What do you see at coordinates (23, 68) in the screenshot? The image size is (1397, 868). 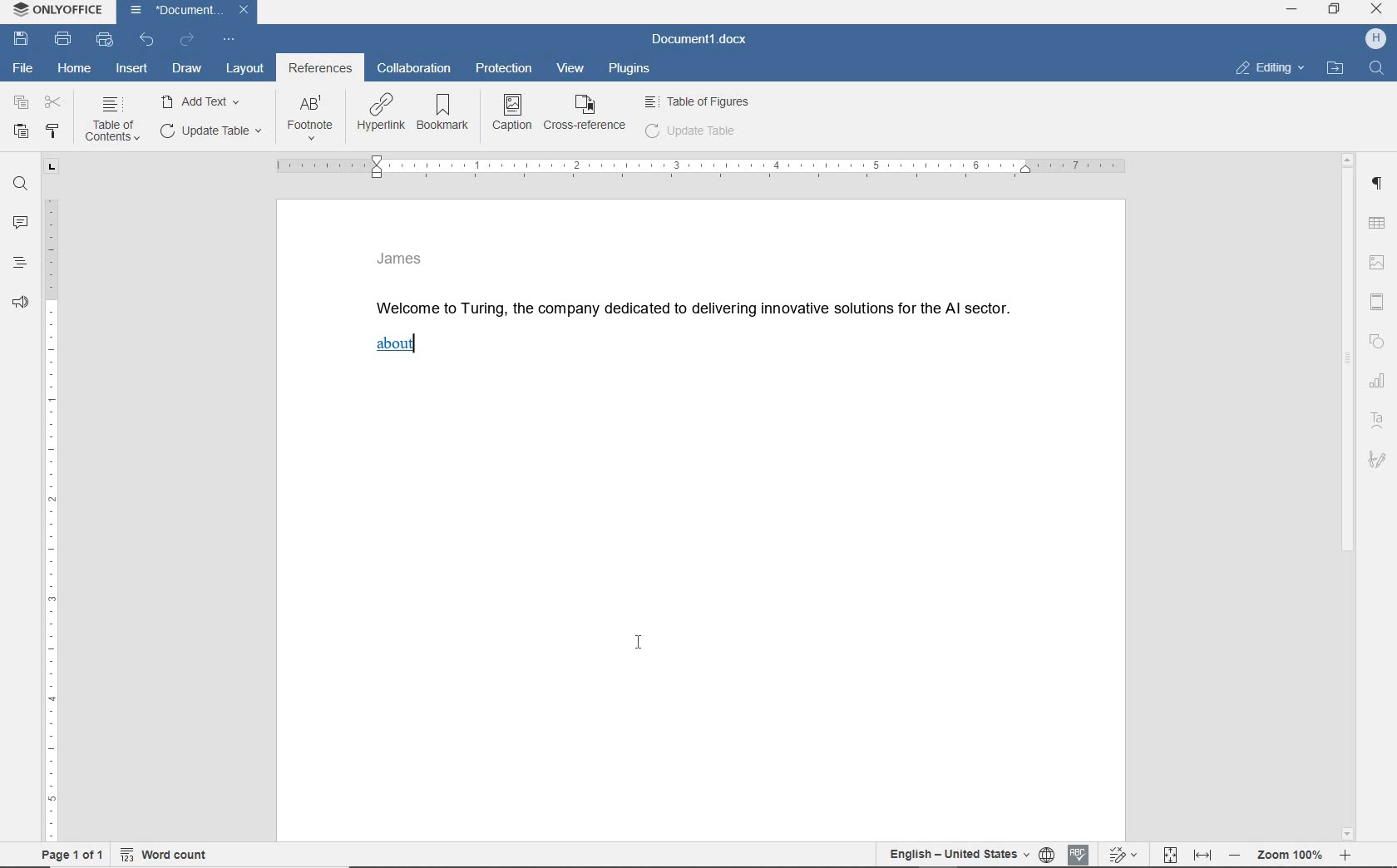 I see `file` at bounding box center [23, 68].